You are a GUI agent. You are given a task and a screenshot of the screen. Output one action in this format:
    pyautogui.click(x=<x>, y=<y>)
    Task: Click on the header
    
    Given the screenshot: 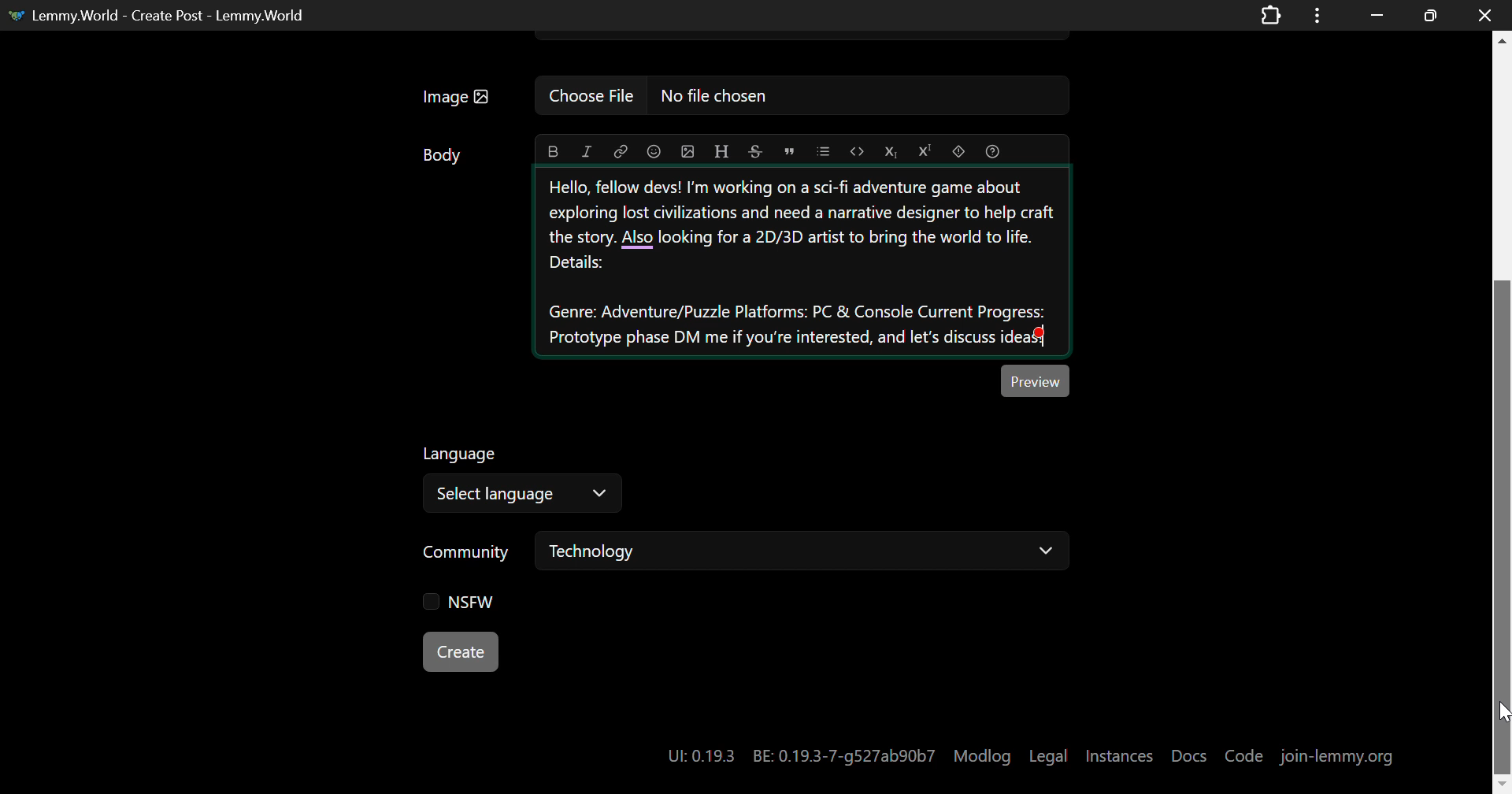 What is the action you would take?
    pyautogui.click(x=723, y=149)
    